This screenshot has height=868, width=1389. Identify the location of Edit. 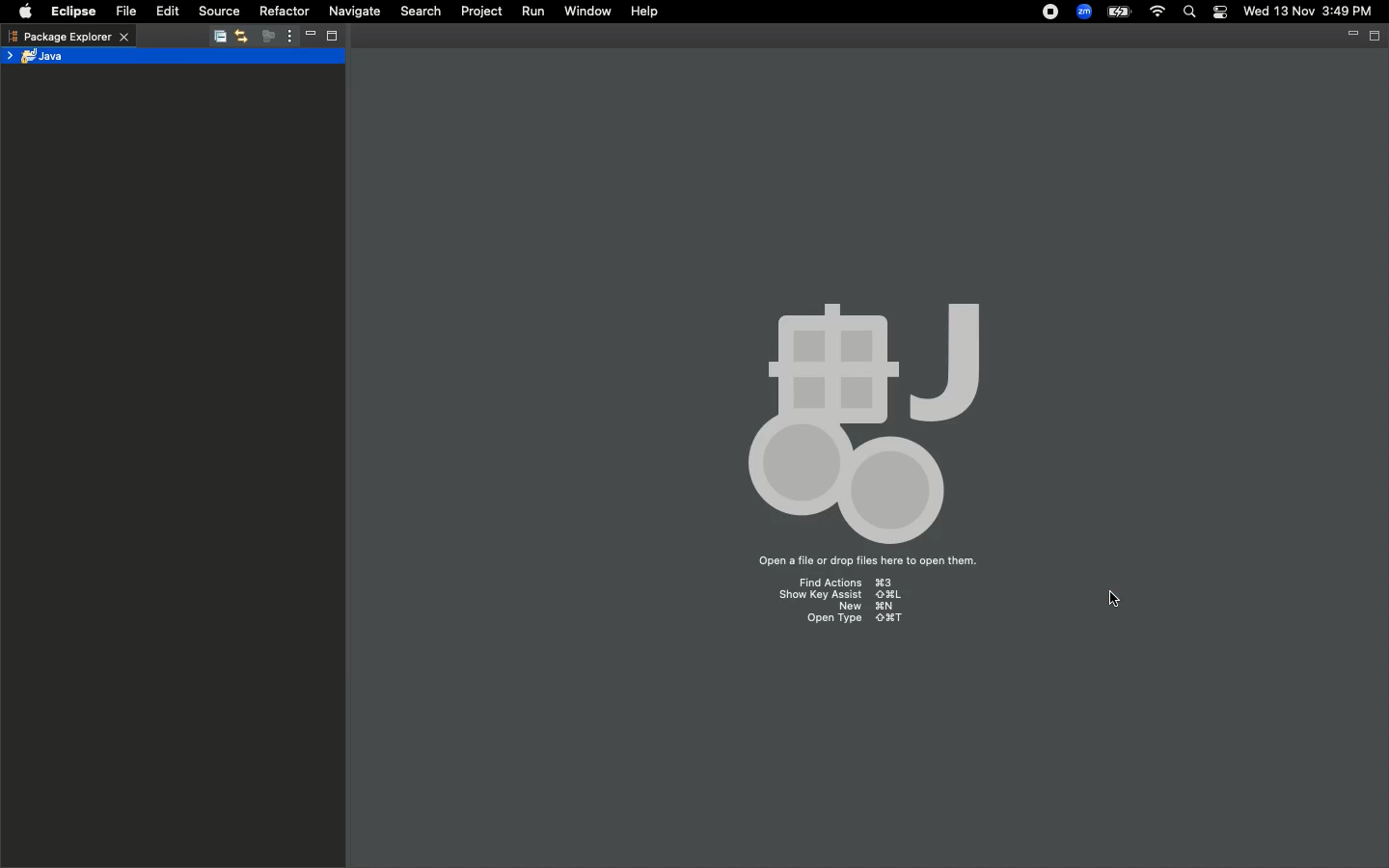
(168, 11).